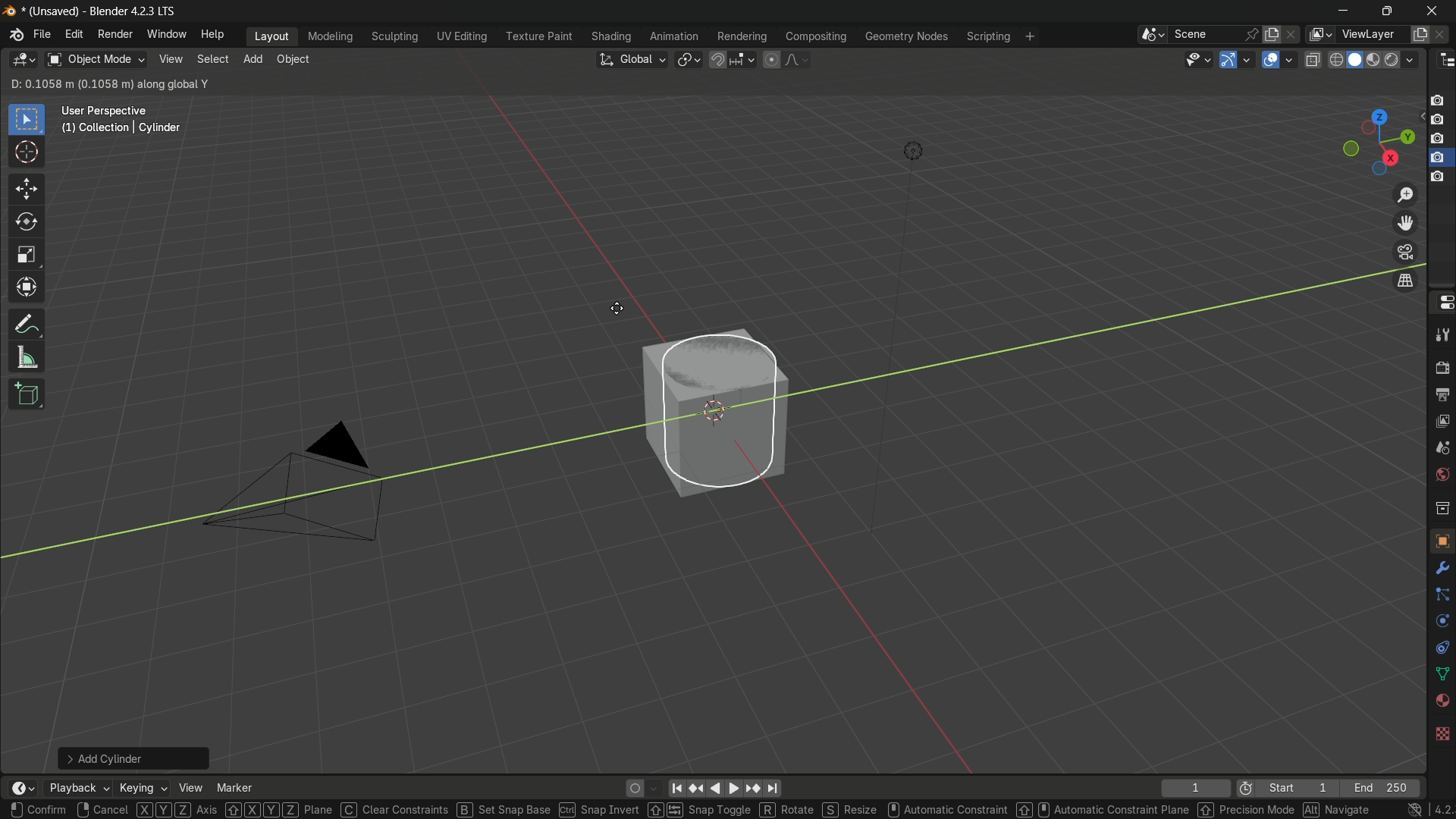  I want to click on object menu, so click(295, 60).